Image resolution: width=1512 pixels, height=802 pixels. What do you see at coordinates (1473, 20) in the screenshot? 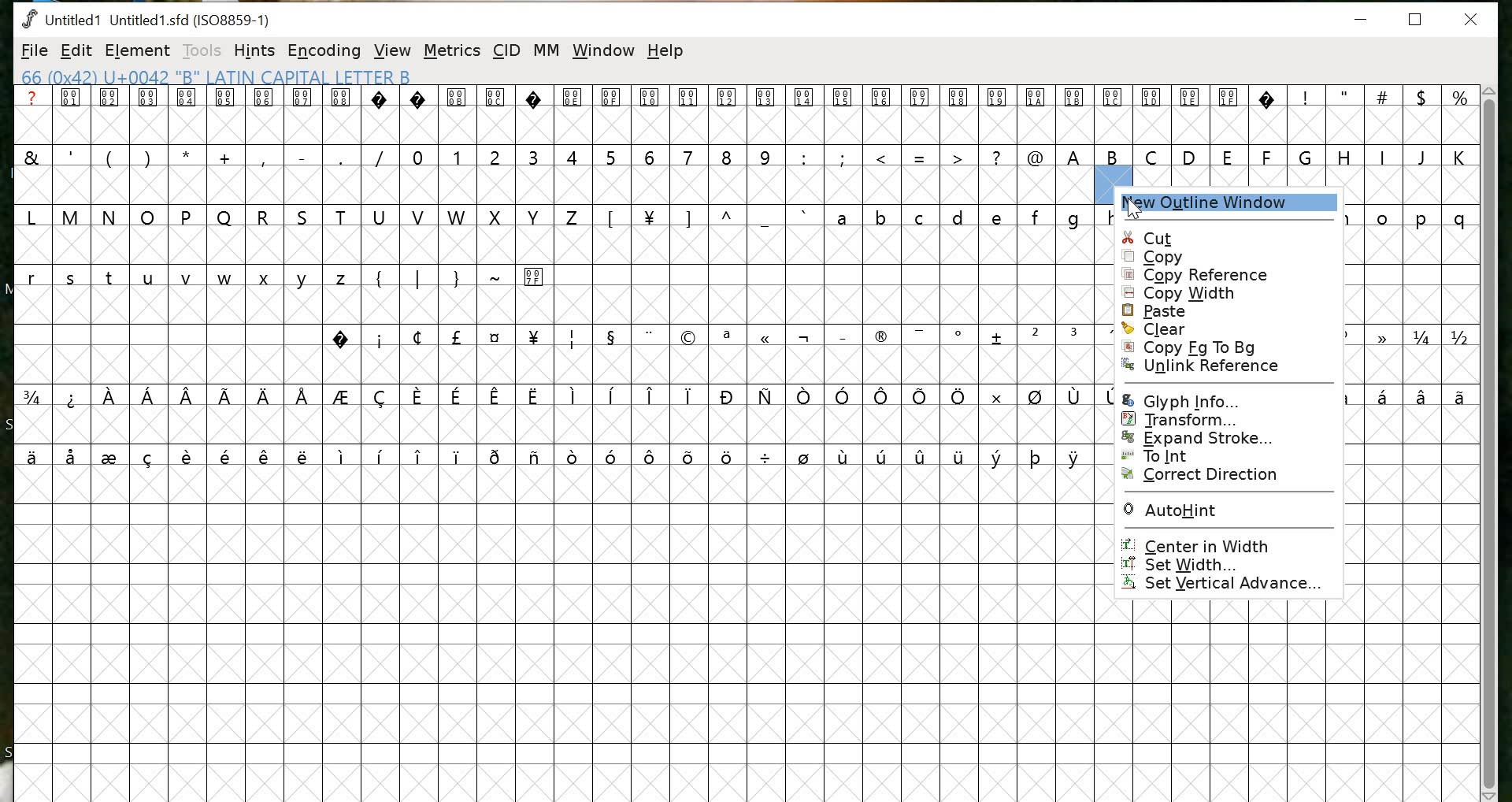
I see `close` at bounding box center [1473, 20].